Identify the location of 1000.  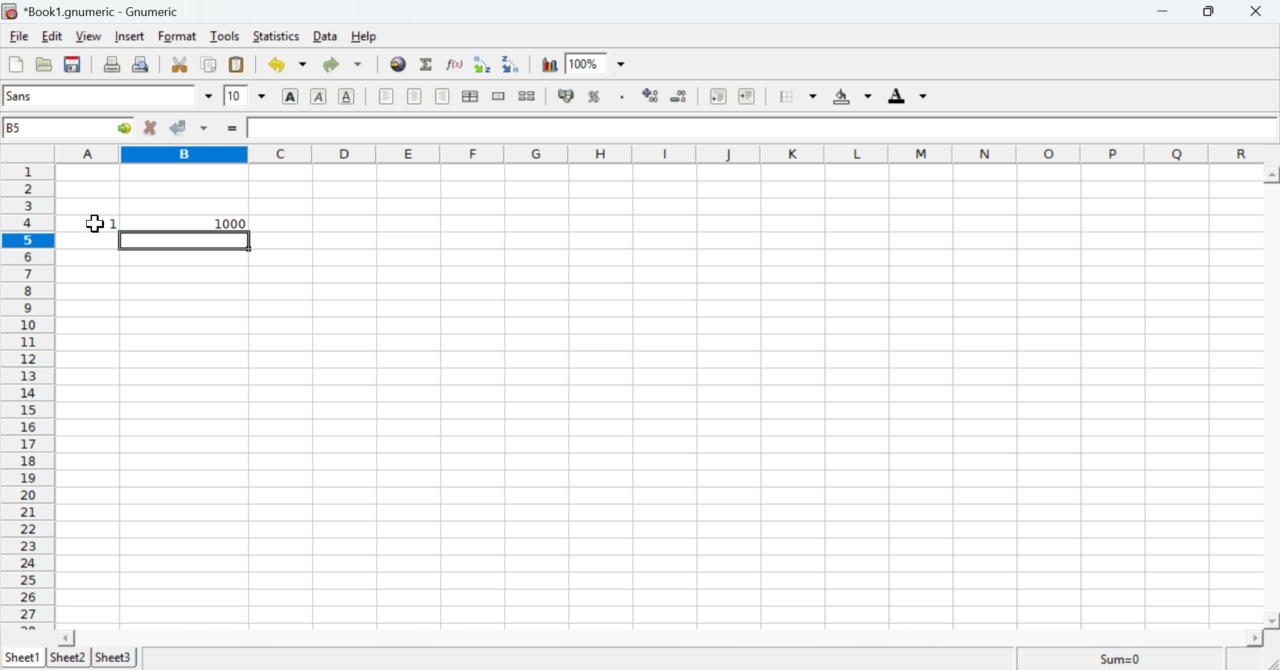
(187, 223).